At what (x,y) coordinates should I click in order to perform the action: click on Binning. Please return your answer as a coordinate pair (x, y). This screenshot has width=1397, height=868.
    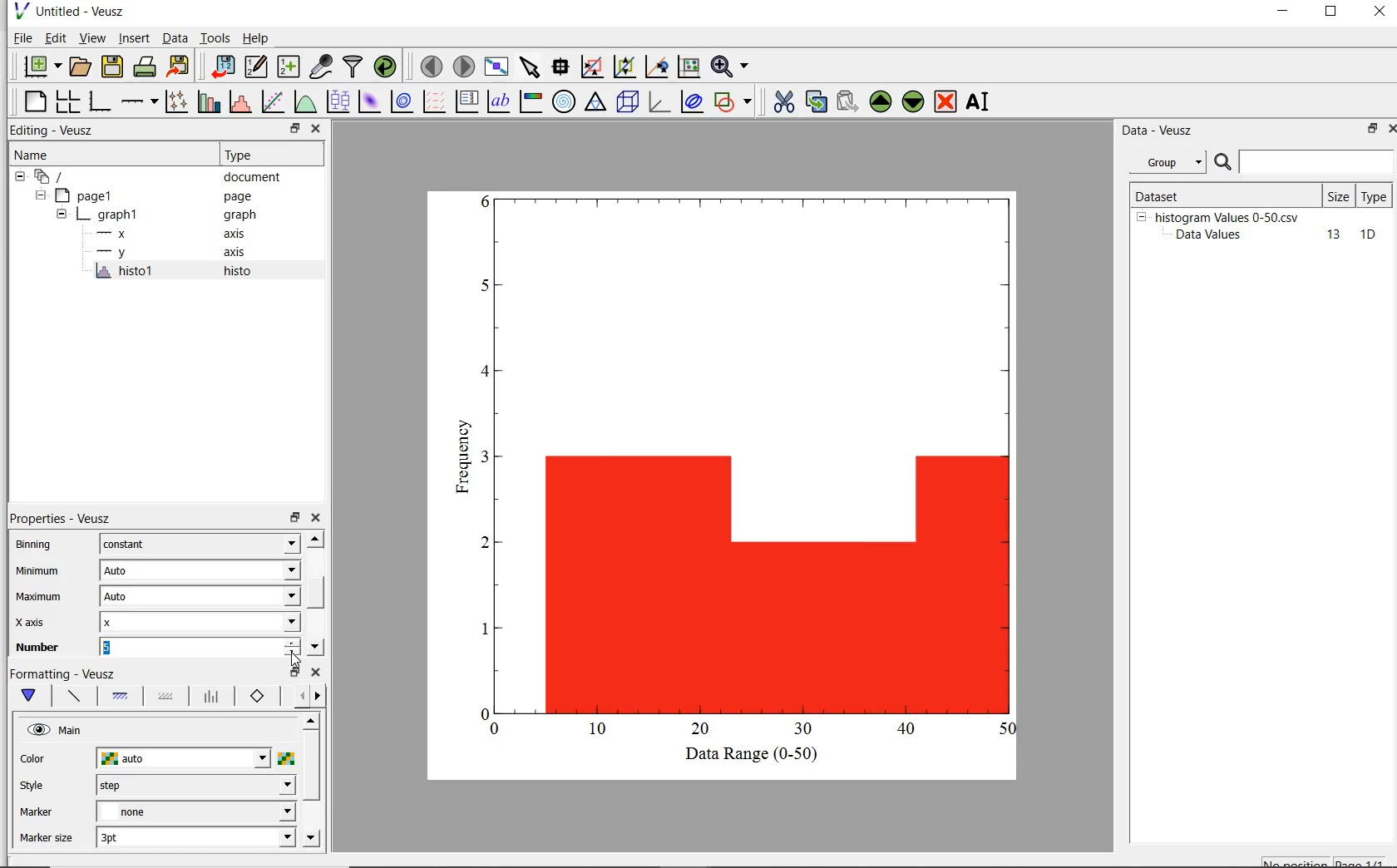
    Looking at the image, I should click on (39, 546).